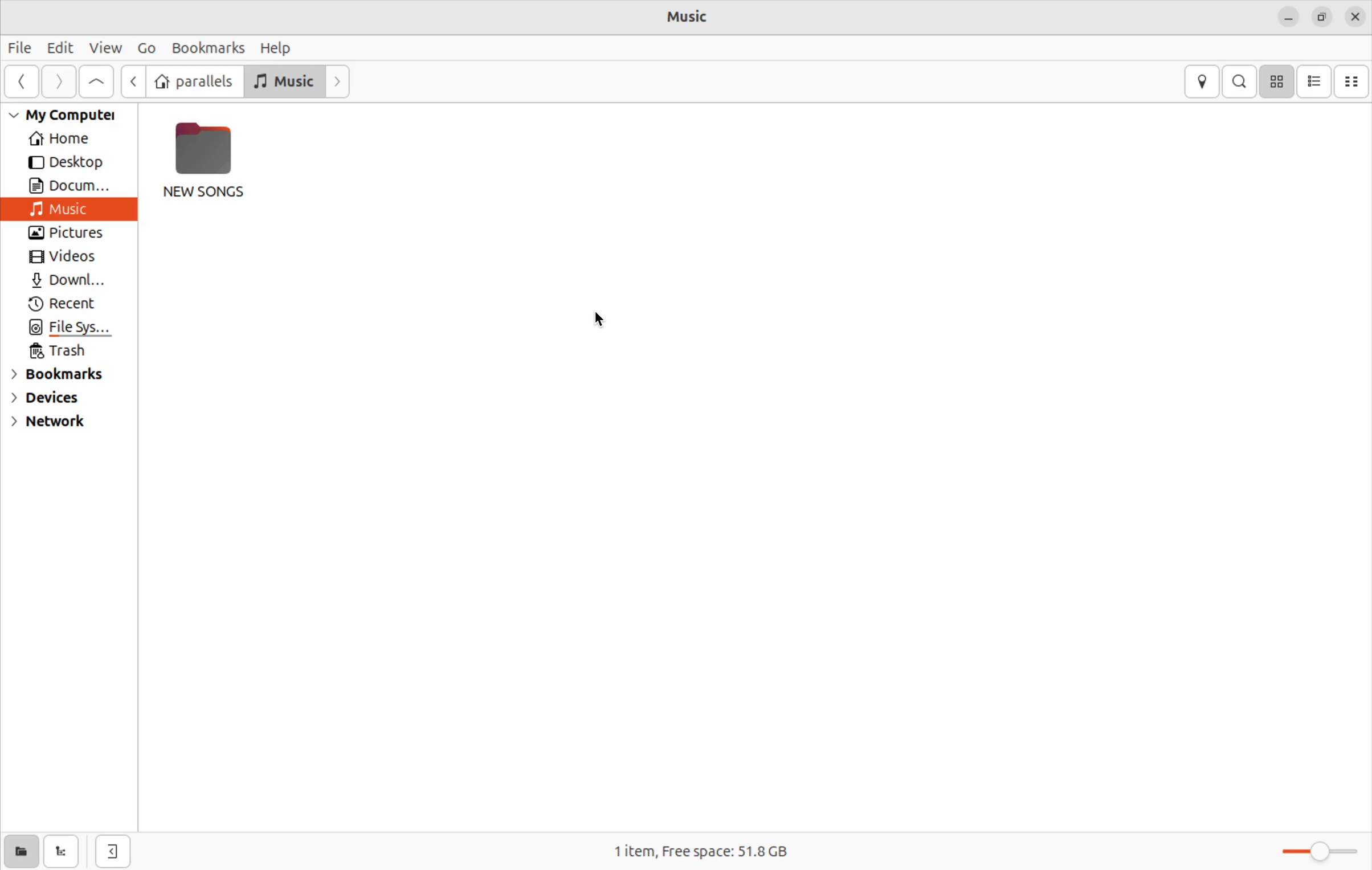  Describe the element at coordinates (697, 17) in the screenshot. I see `Music` at that location.